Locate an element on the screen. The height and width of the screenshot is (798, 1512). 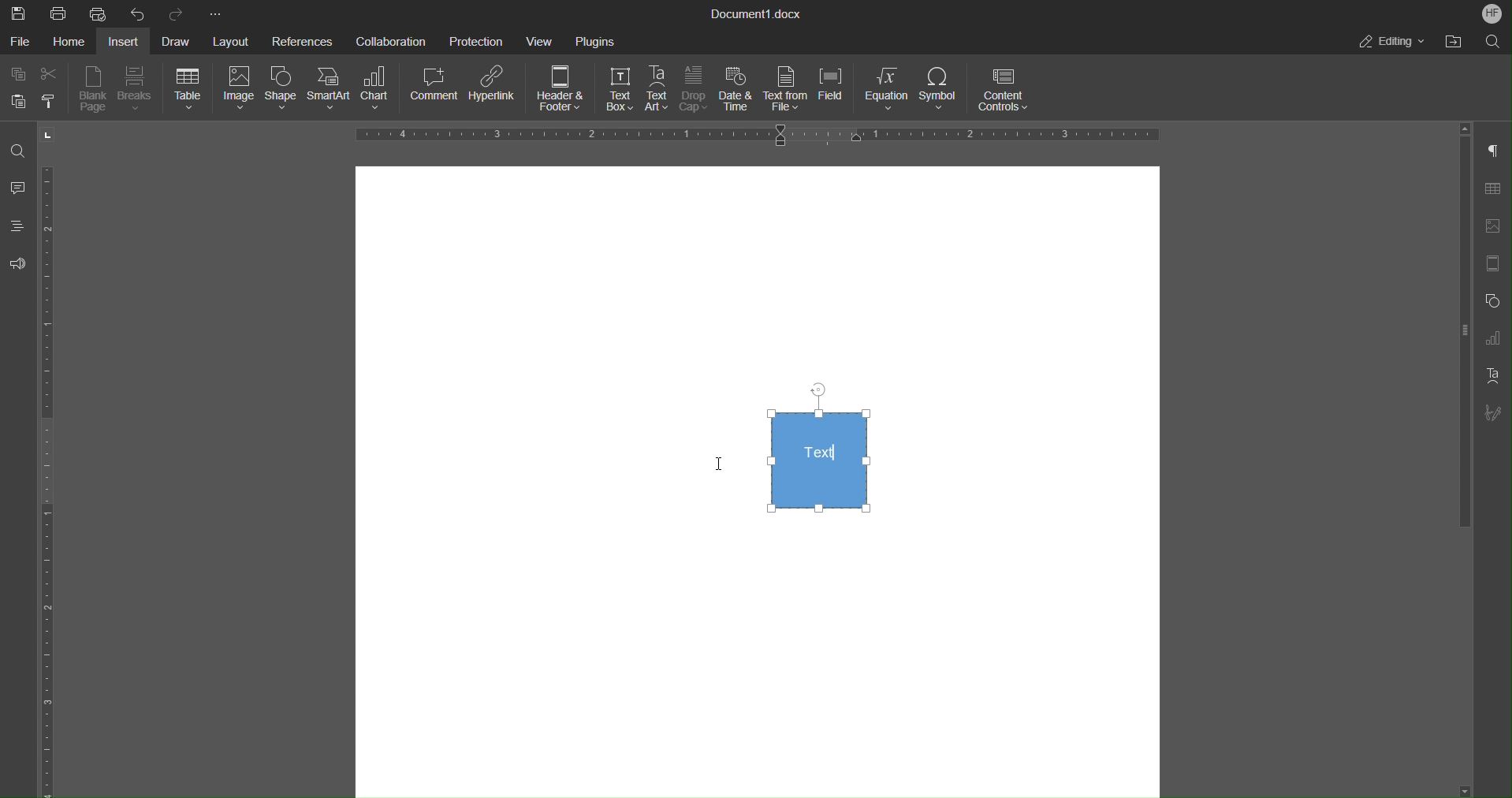
Text Box is located at coordinates (614, 91).